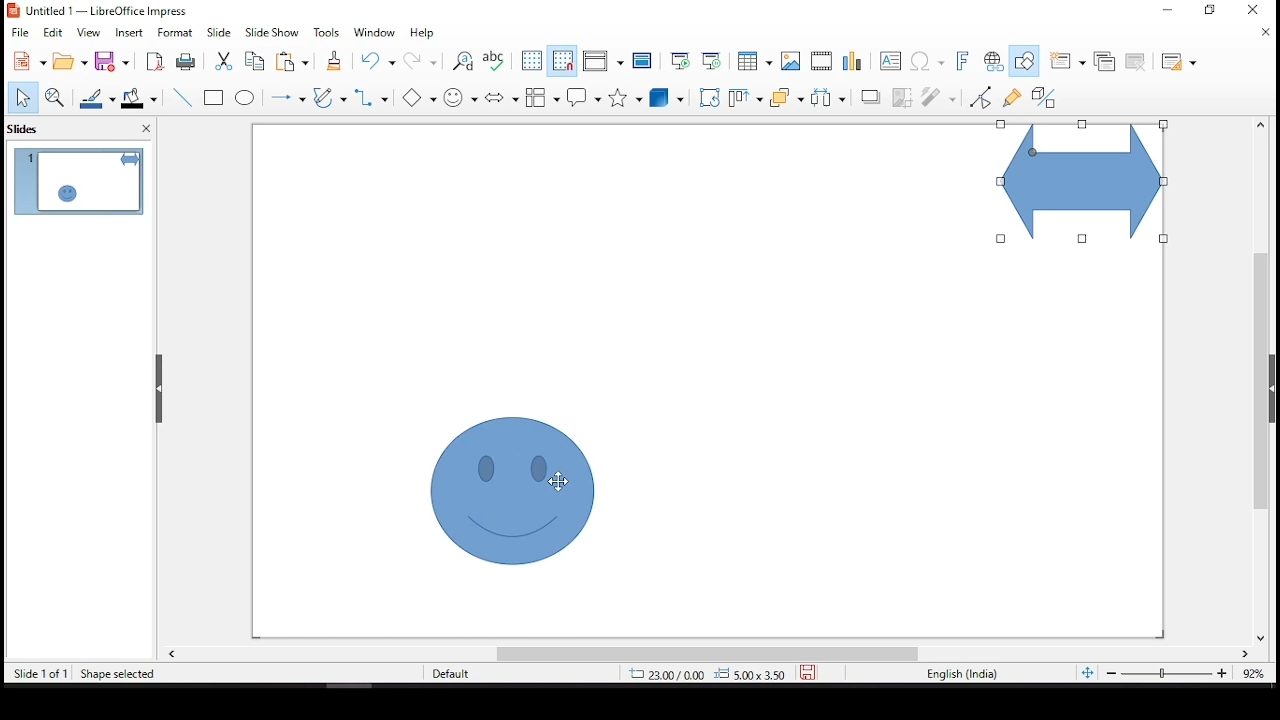  What do you see at coordinates (1023, 61) in the screenshot?
I see `show draw functions` at bounding box center [1023, 61].